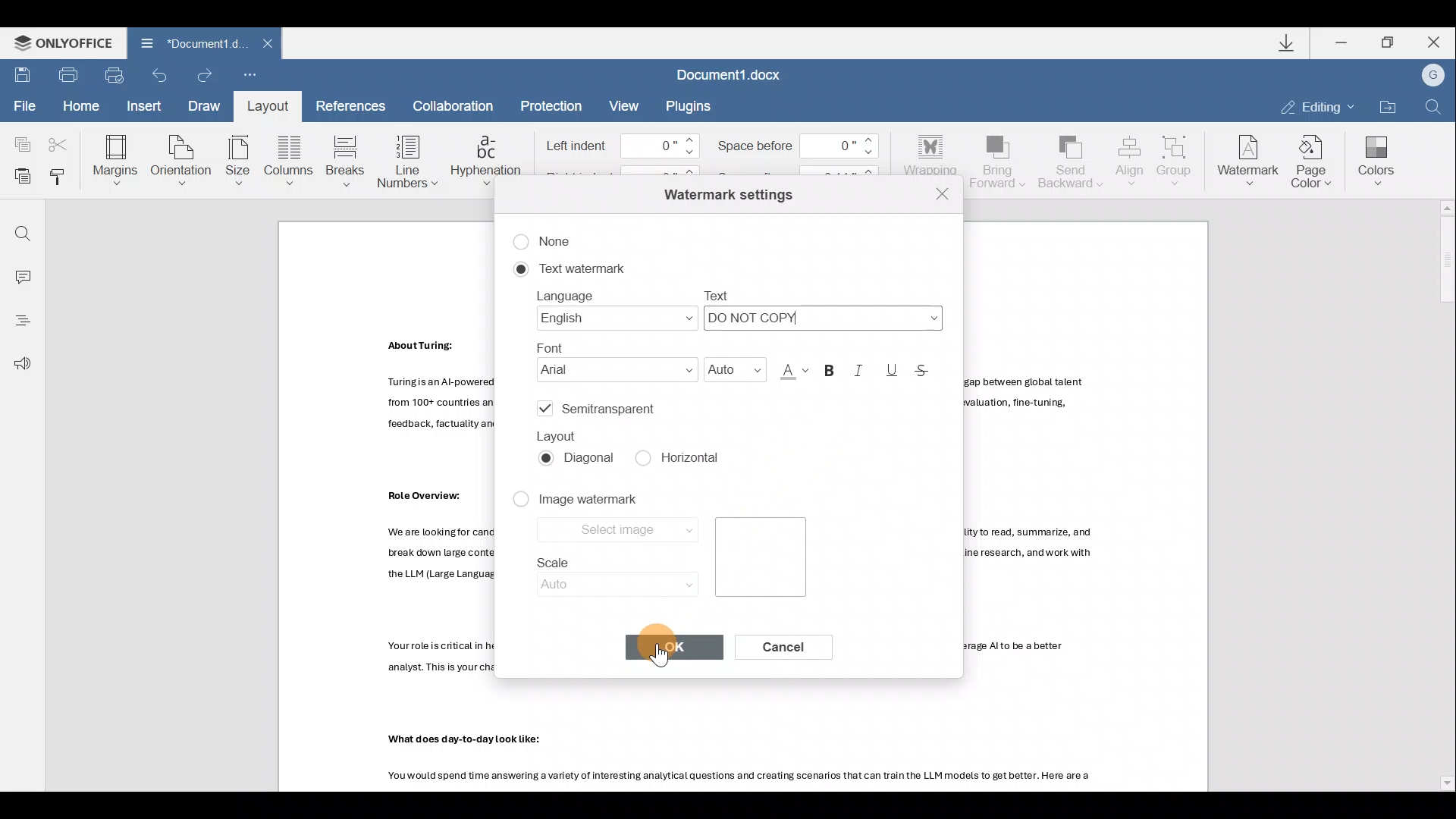 This screenshot has height=819, width=1456. Describe the element at coordinates (187, 42) in the screenshot. I see `Document1 d.` at that location.